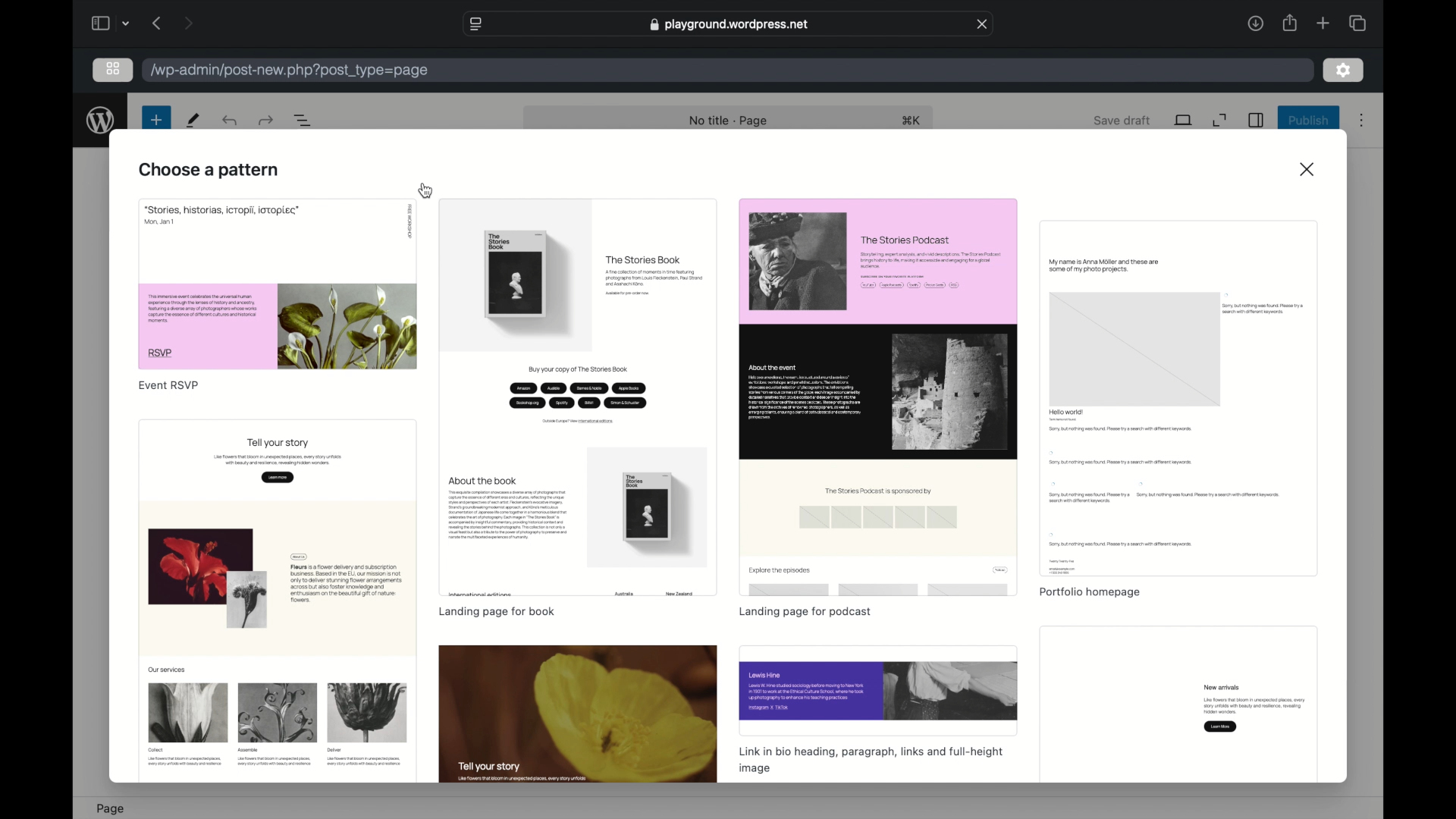 This screenshot has height=819, width=1456. Describe the element at coordinates (155, 120) in the screenshot. I see `new page` at that location.